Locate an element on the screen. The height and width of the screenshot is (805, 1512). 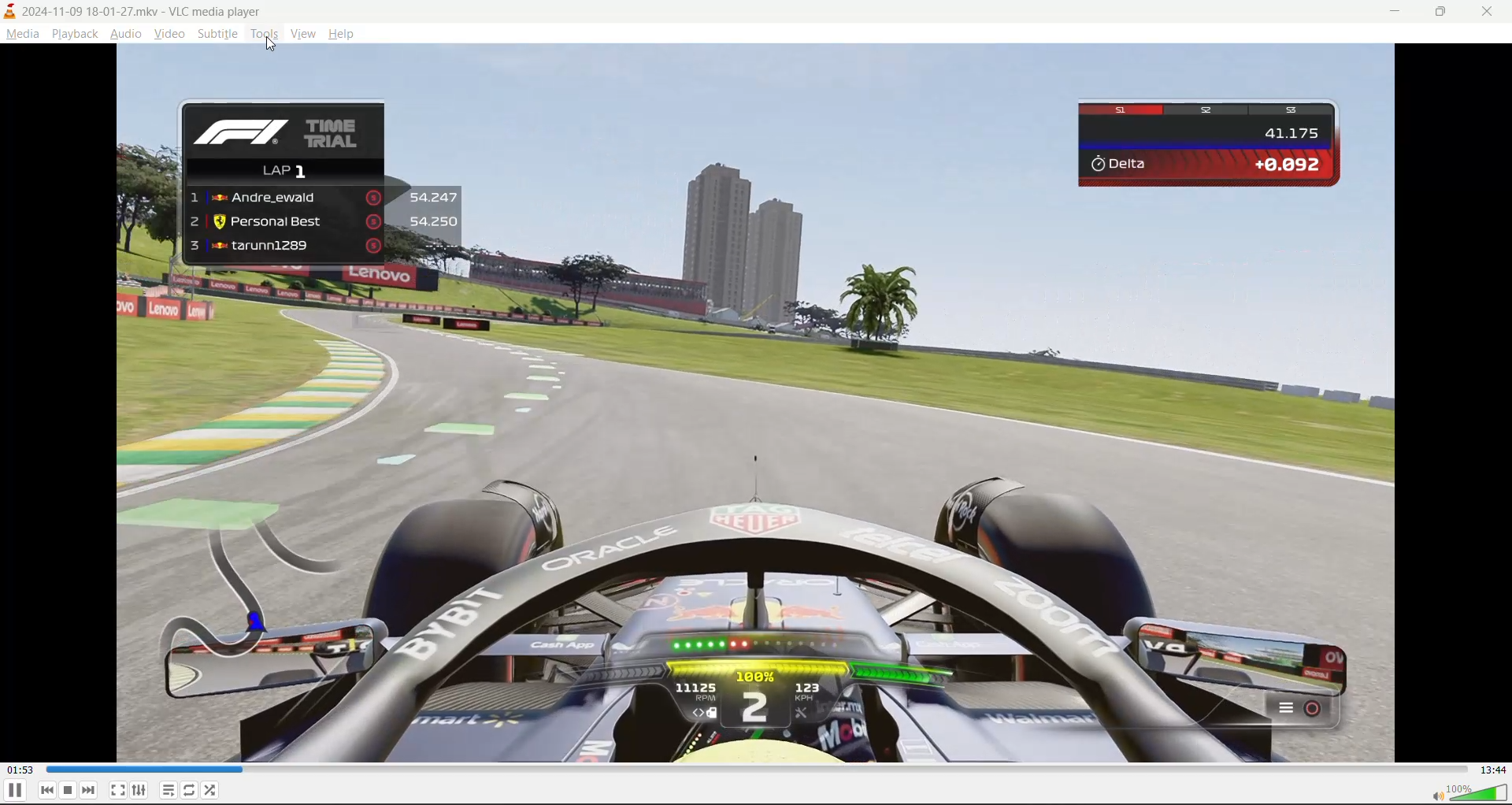
close is located at coordinates (1489, 12).